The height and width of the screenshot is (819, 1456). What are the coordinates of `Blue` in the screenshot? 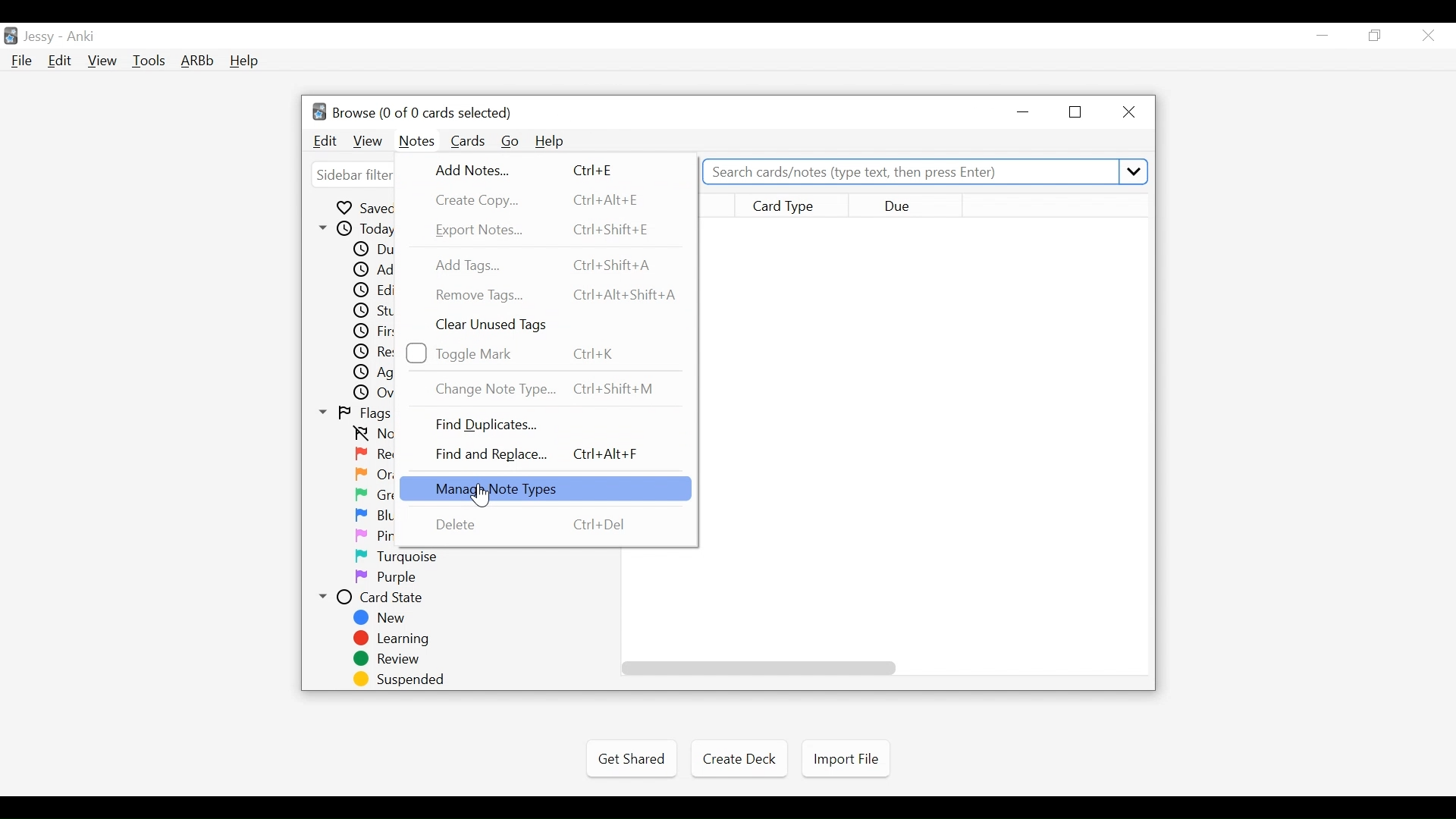 It's located at (372, 515).